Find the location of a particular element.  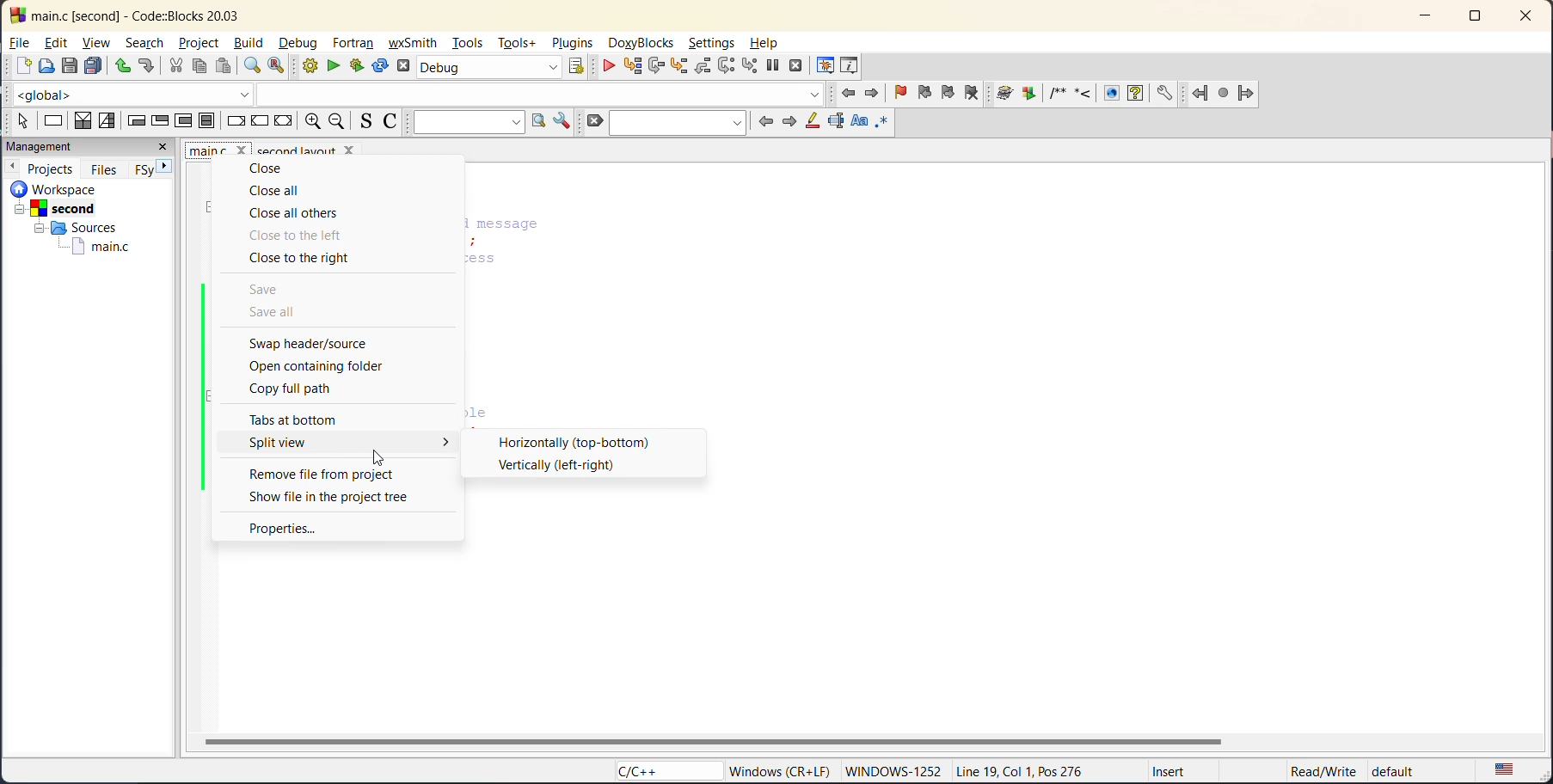

doxyblocks references is located at coordinates (1091, 91).